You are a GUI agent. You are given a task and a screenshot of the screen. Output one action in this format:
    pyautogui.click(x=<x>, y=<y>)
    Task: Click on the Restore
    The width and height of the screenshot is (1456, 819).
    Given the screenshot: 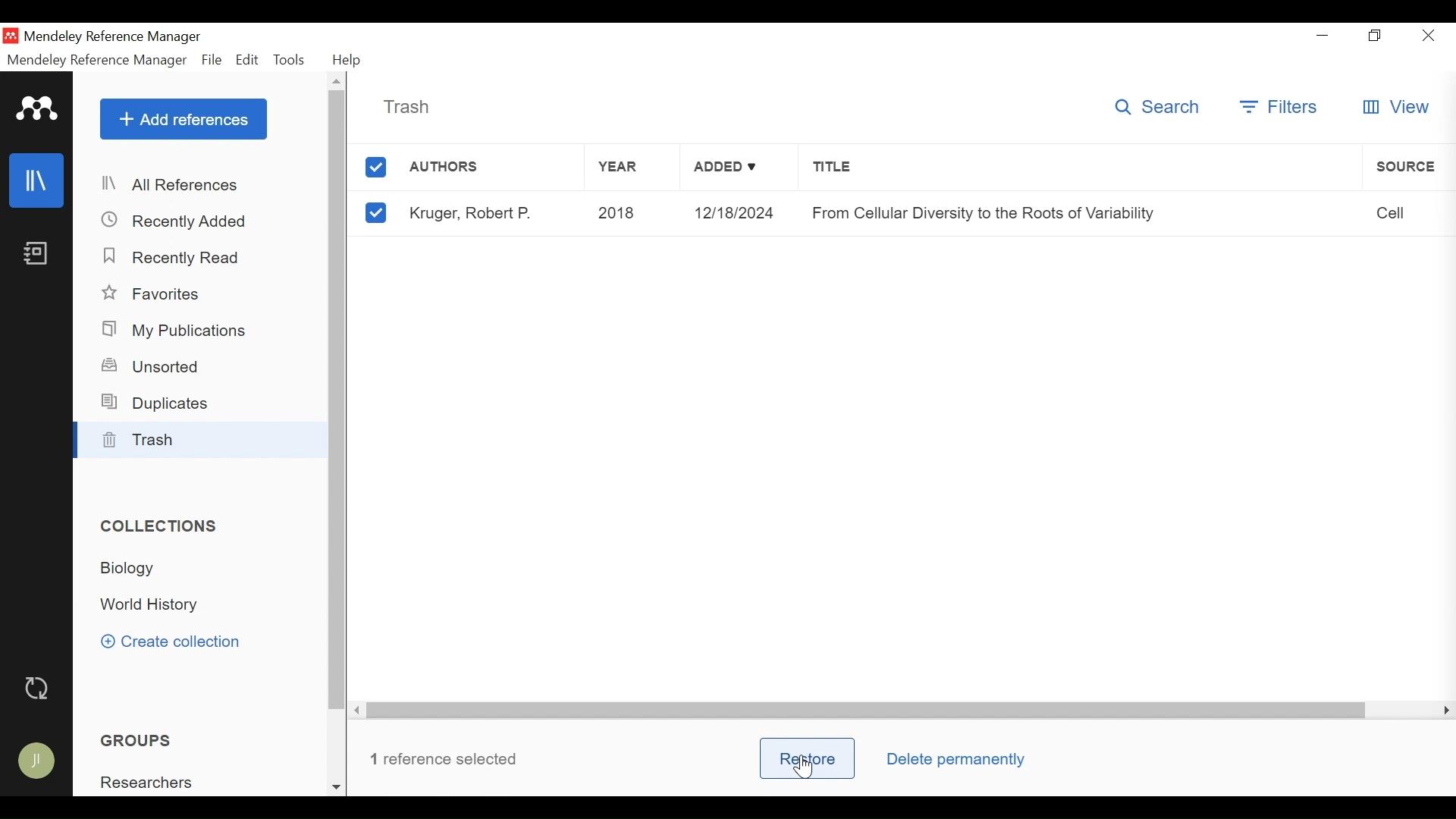 What is the action you would take?
    pyautogui.click(x=1373, y=36)
    